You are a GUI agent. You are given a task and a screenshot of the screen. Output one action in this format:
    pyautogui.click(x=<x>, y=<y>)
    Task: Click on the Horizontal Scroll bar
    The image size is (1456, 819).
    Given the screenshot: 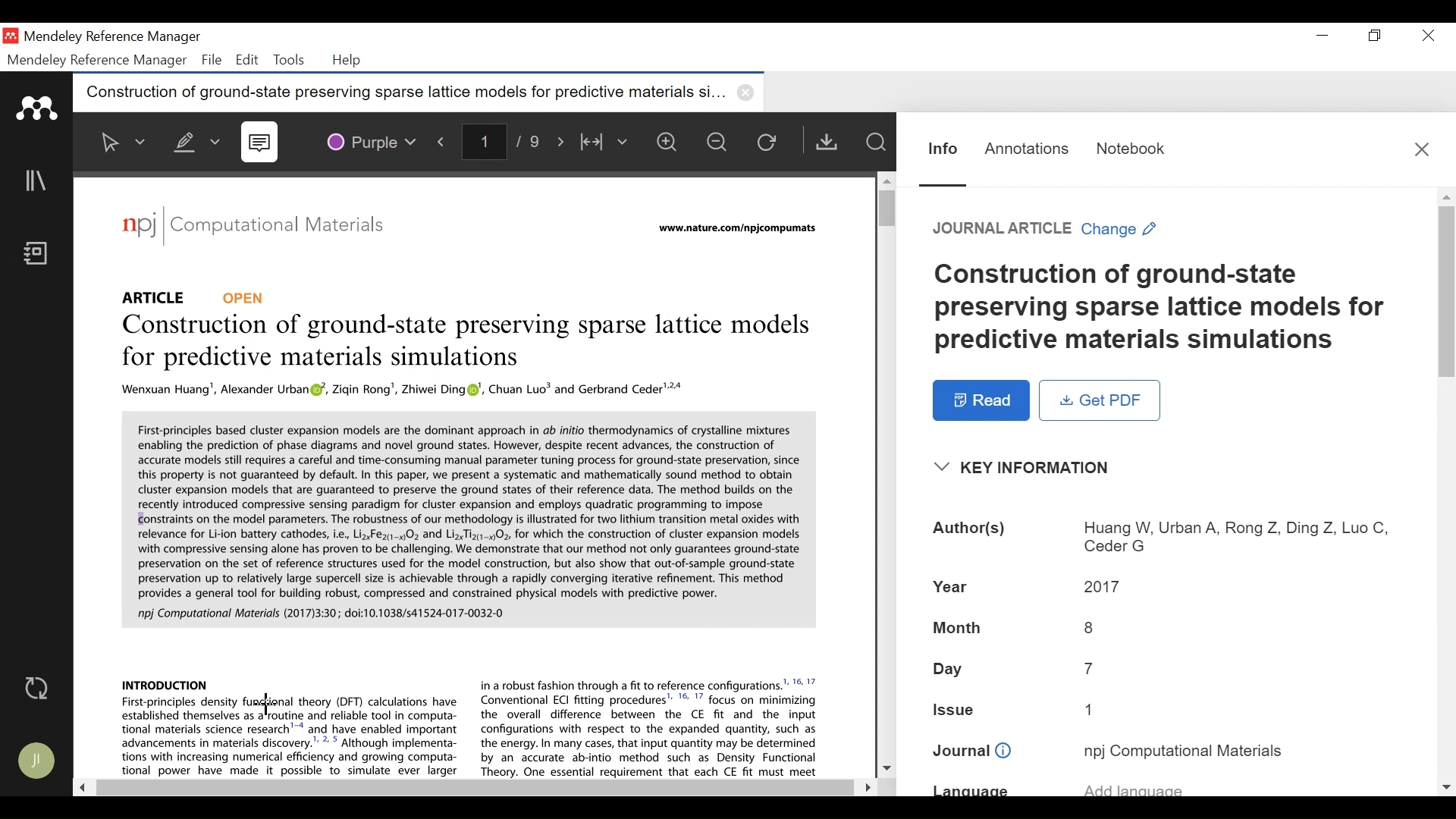 What is the action you would take?
    pyautogui.click(x=472, y=788)
    